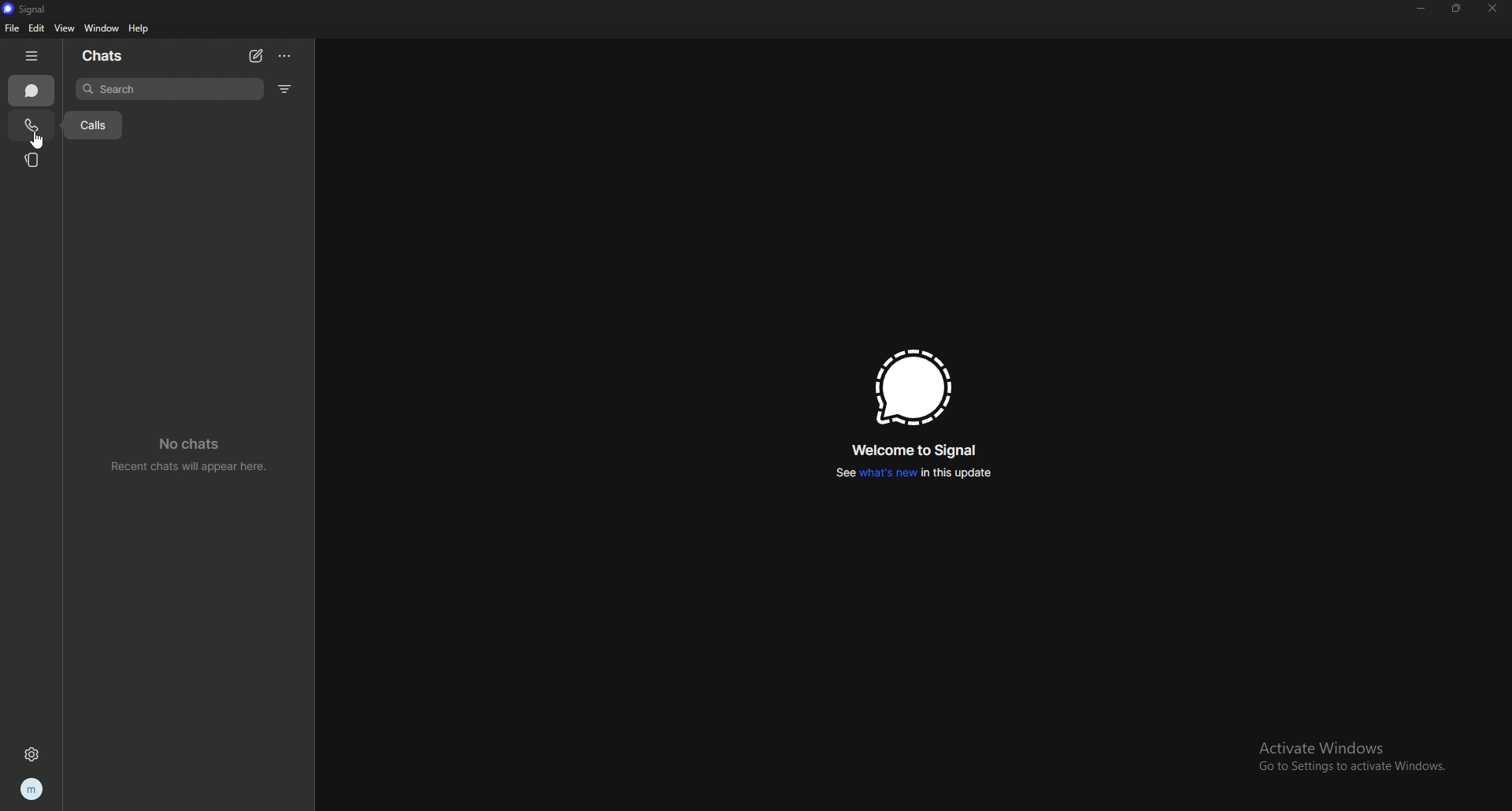  Describe the element at coordinates (914, 473) in the screenshot. I see `see whats new in this update` at that location.